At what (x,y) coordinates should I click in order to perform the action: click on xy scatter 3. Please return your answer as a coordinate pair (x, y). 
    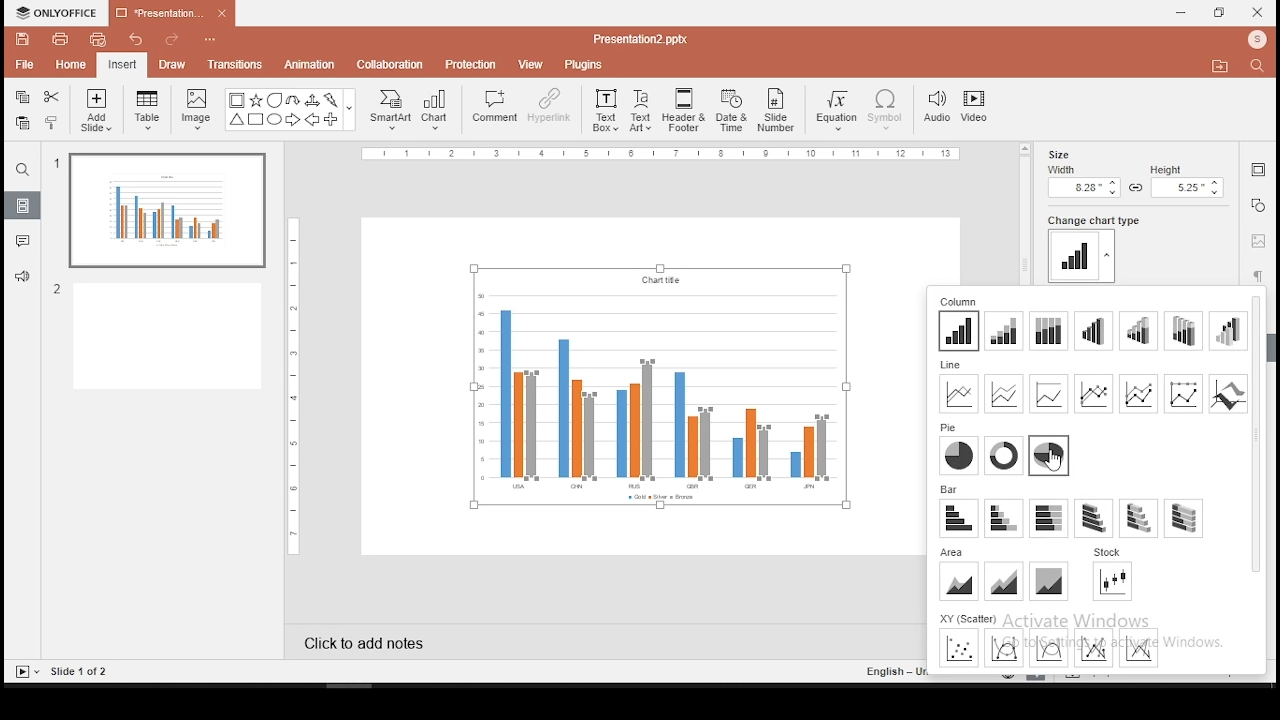
    Looking at the image, I should click on (1048, 648).